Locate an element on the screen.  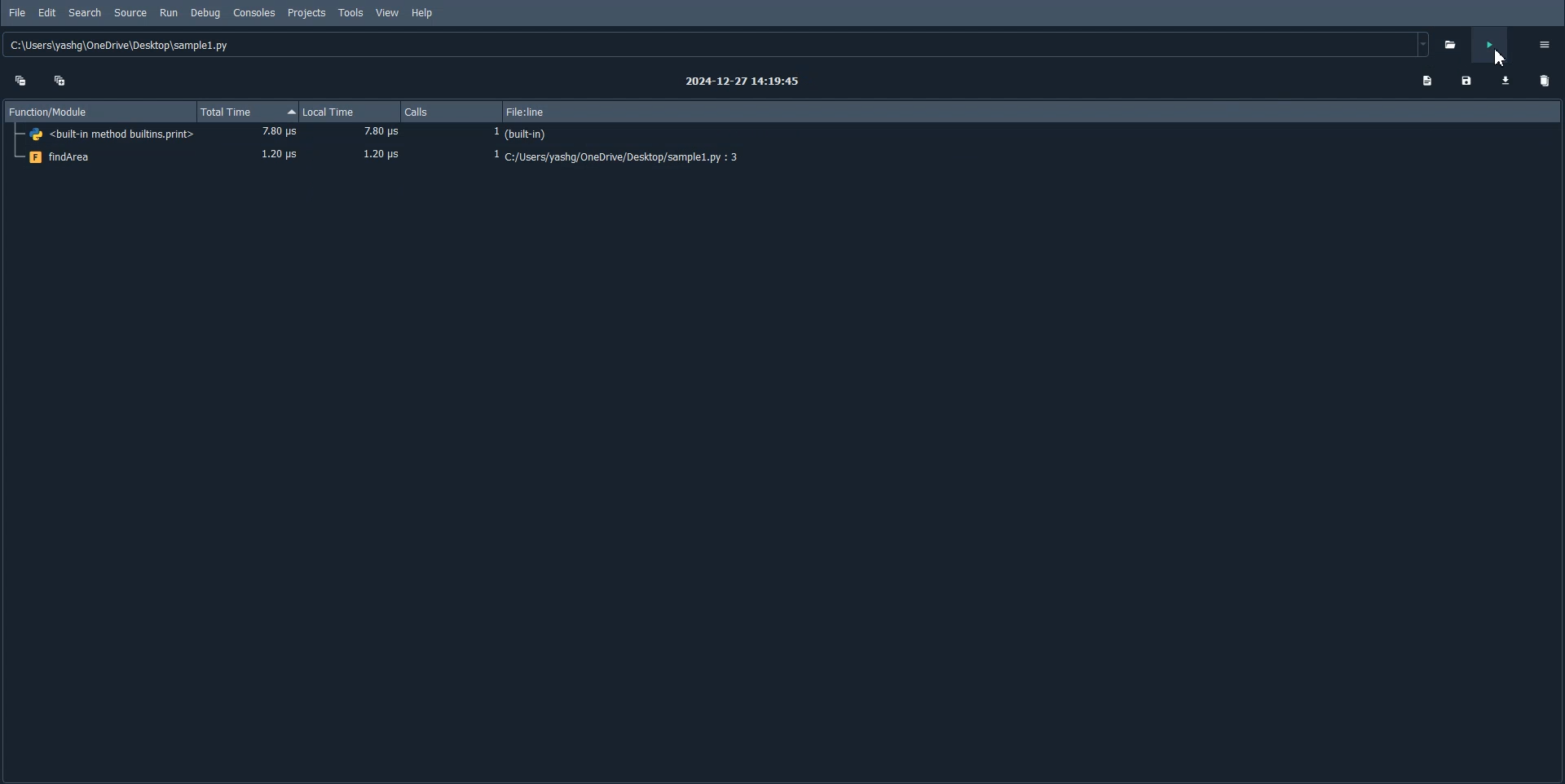
Source is located at coordinates (131, 13).